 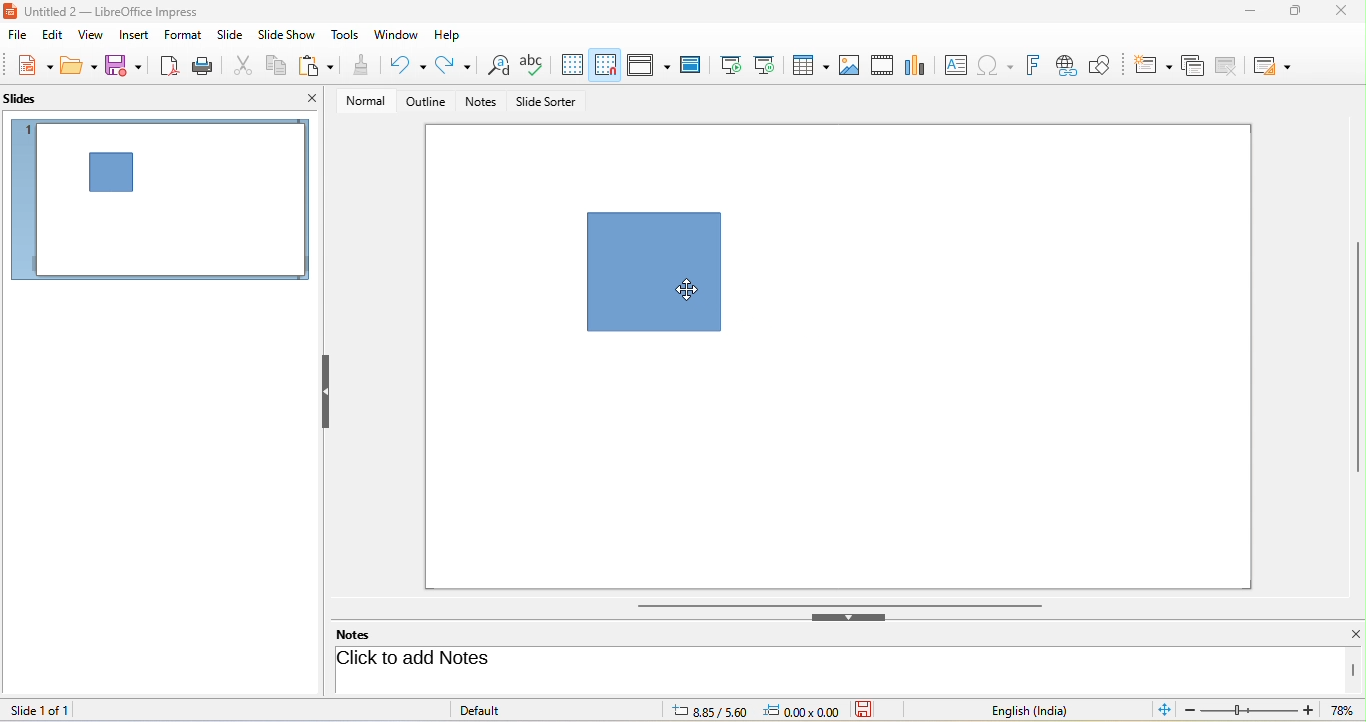 I want to click on slides, so click(x=31, y=100).